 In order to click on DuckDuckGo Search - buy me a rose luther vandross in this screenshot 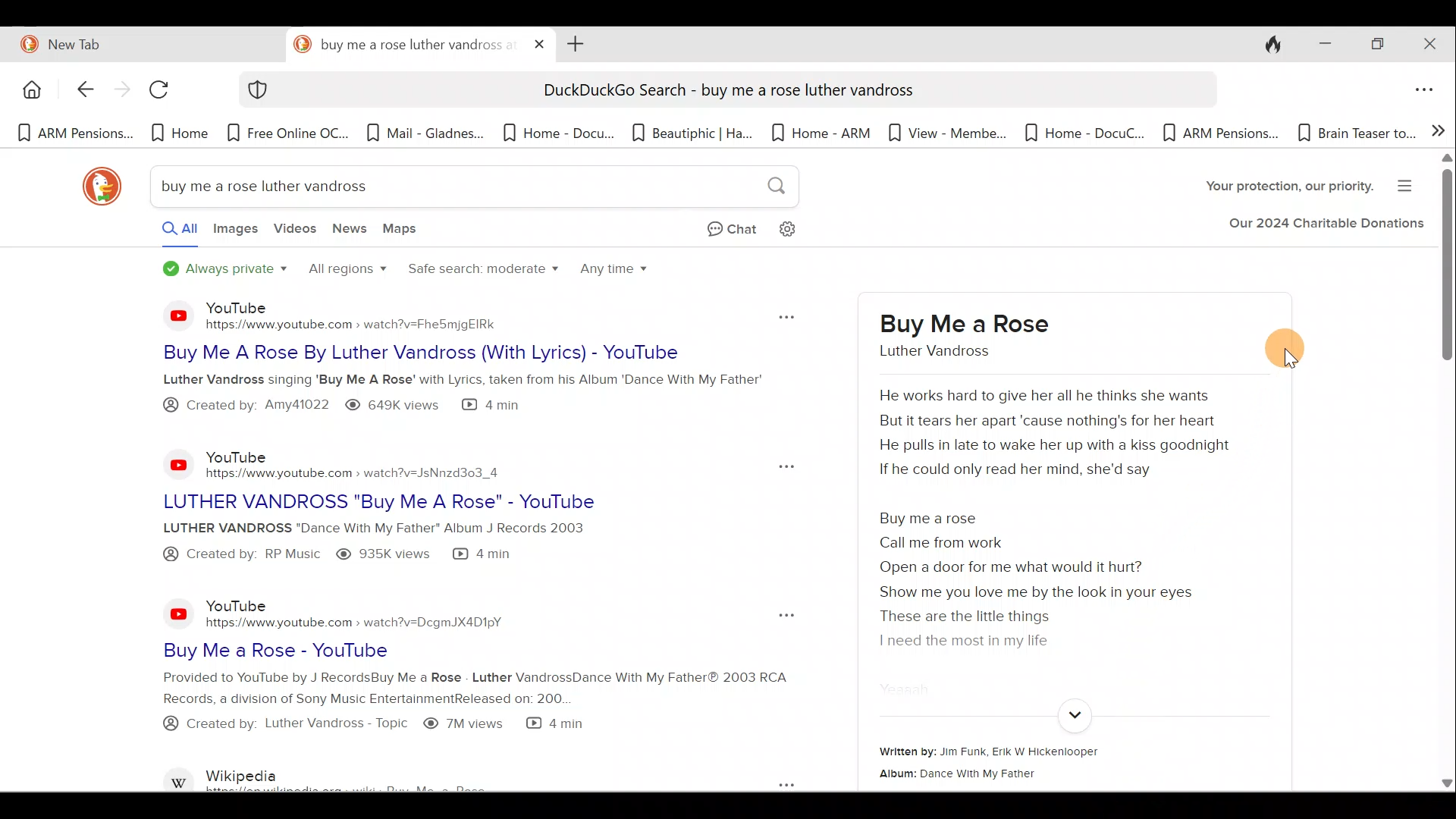, I will do `click(726, 93)`.